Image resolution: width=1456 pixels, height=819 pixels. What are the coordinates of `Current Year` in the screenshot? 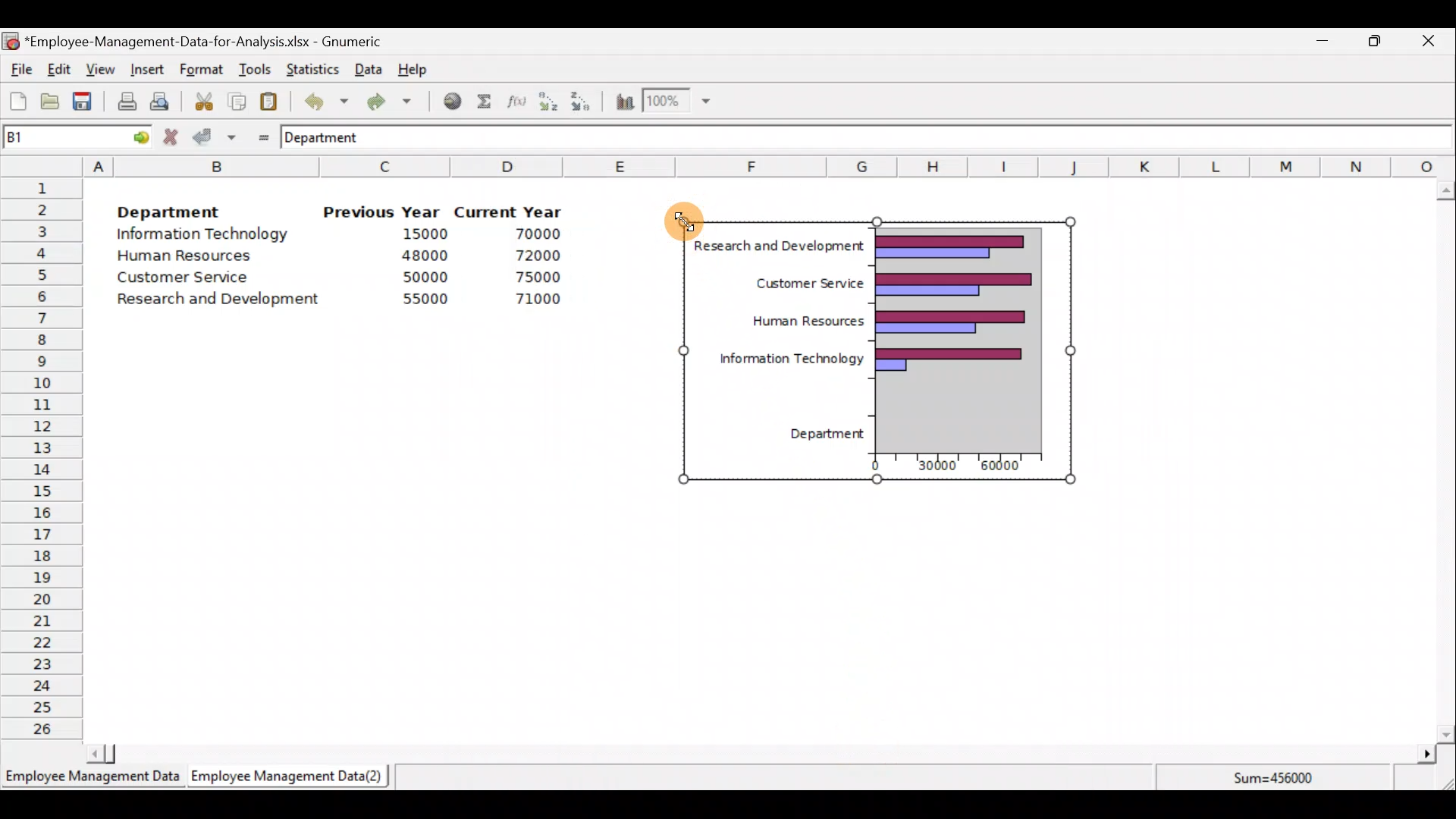 It's located at (510, 210).